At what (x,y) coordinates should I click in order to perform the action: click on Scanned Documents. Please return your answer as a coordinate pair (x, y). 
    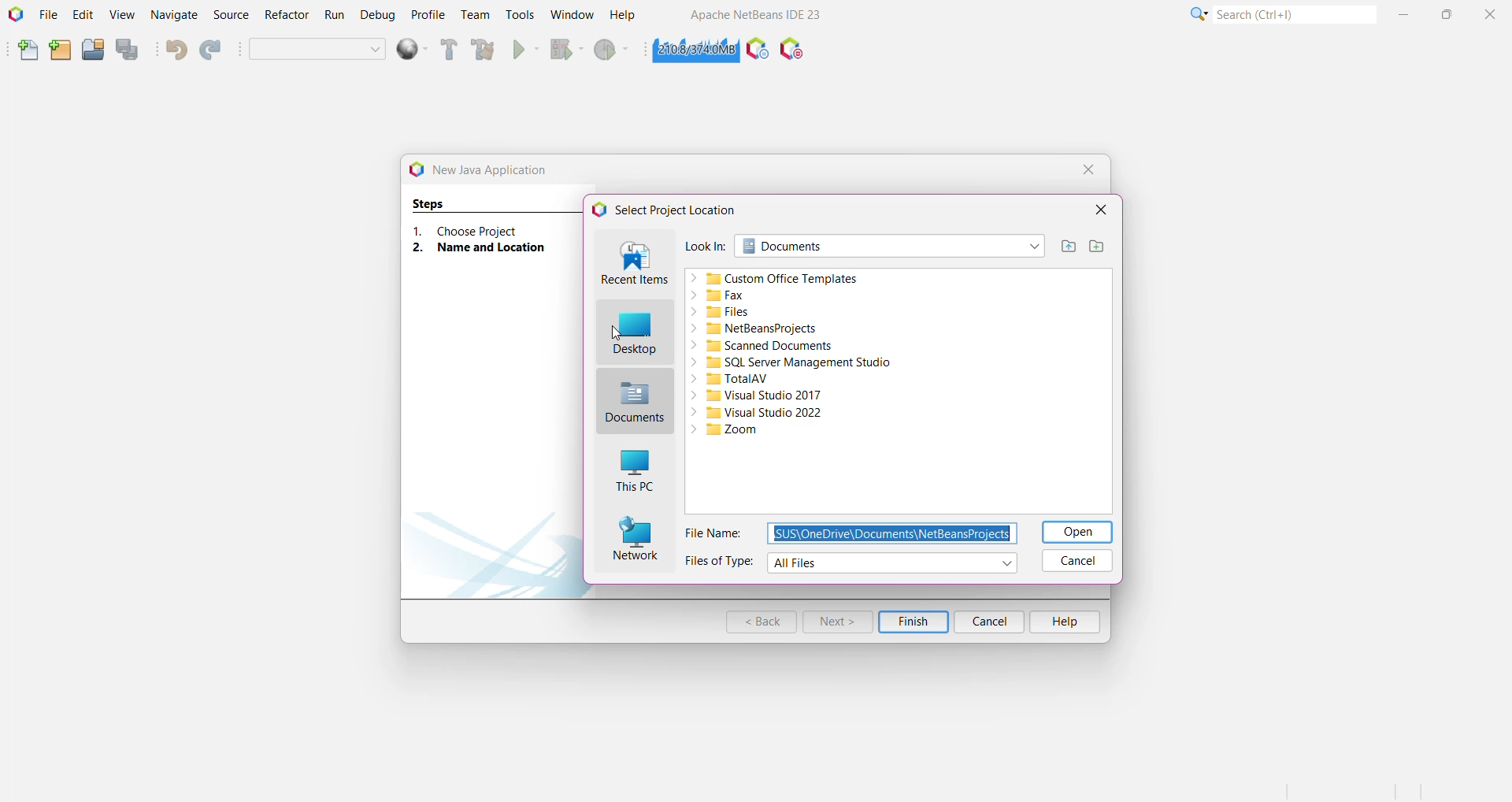
    Looking at the image, I should click on (773, 343).